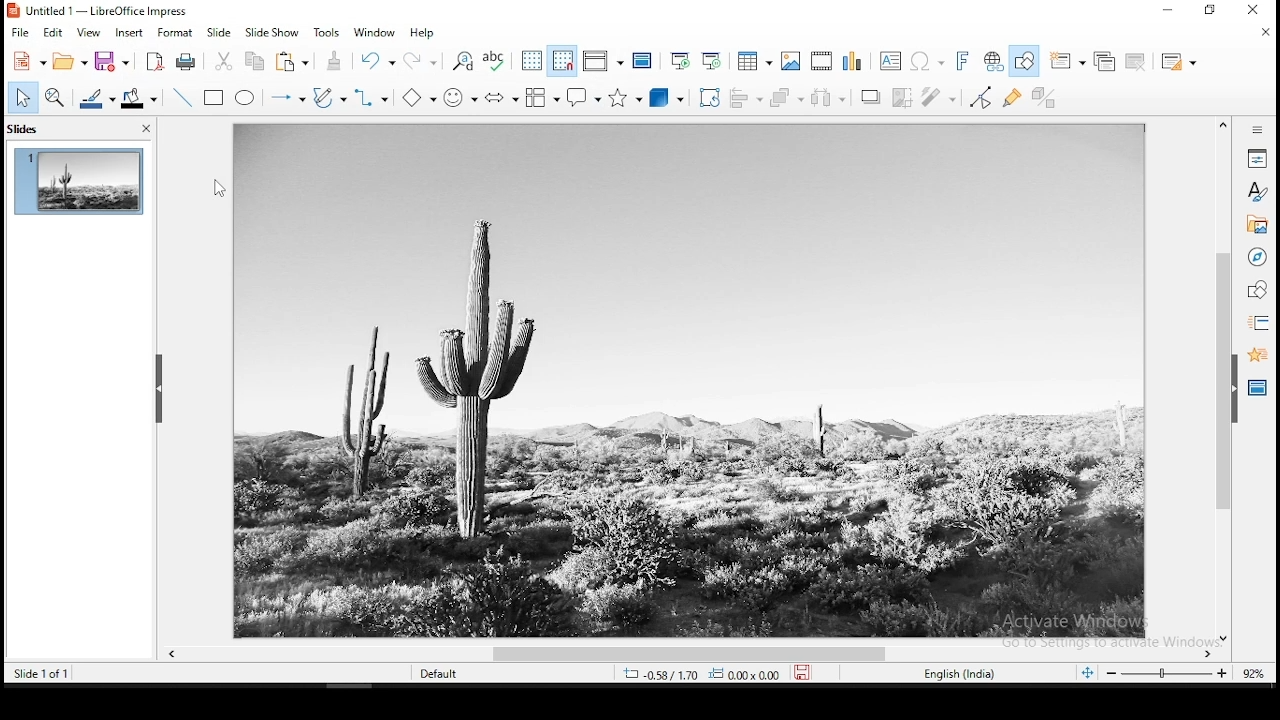  I want to click on open, so click(70, 59).